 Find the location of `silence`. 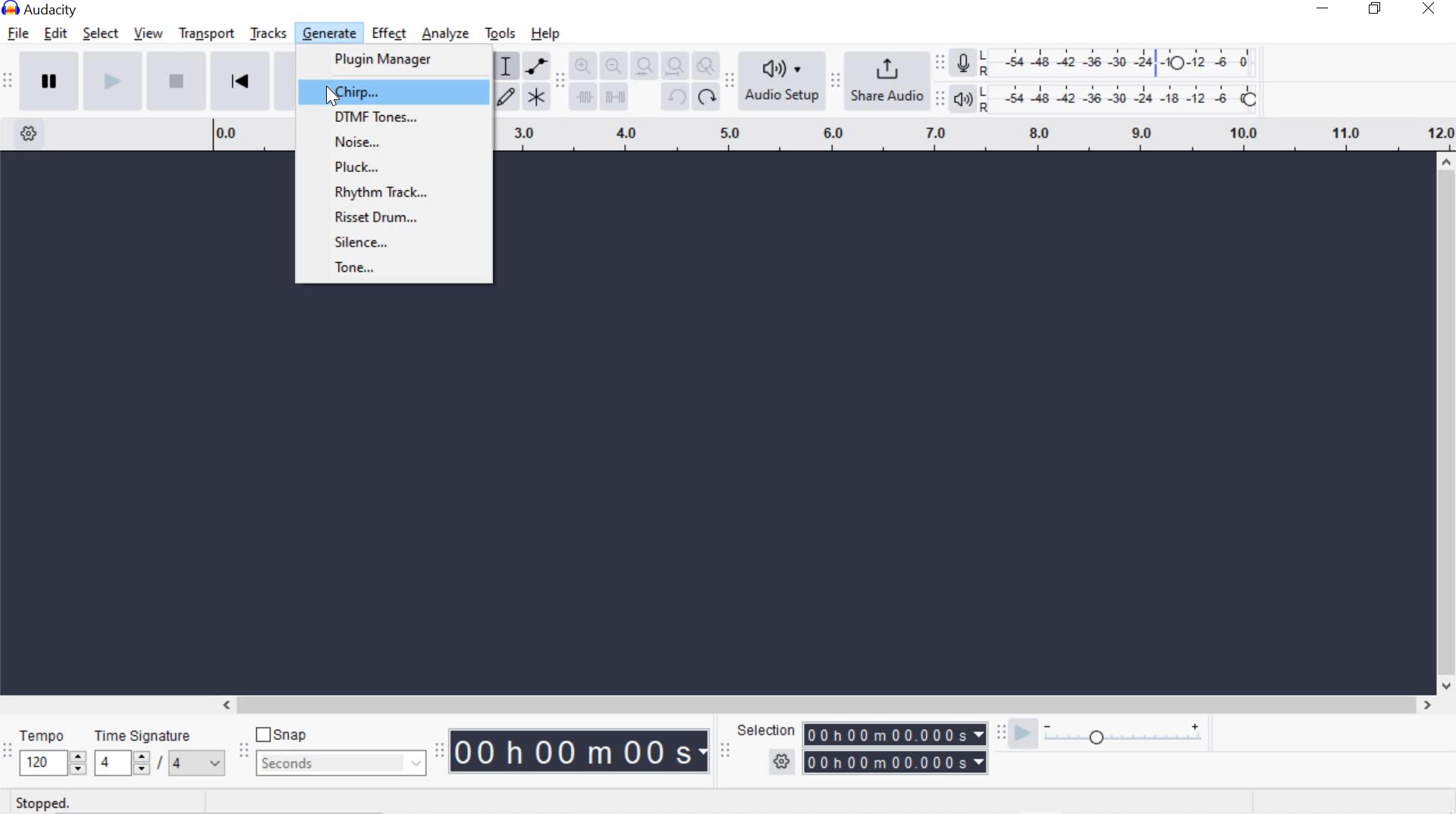

silence is located at coordinates (394, 244).